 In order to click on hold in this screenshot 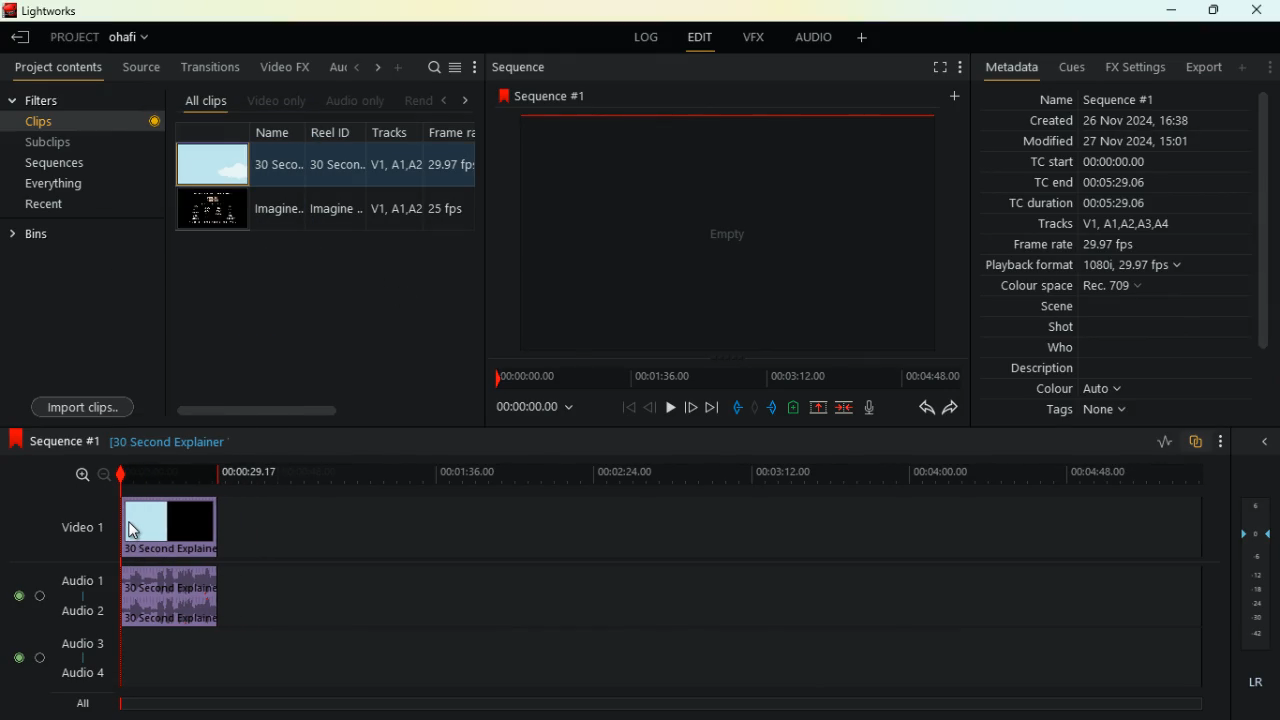, I will do `click(755, 406)`.